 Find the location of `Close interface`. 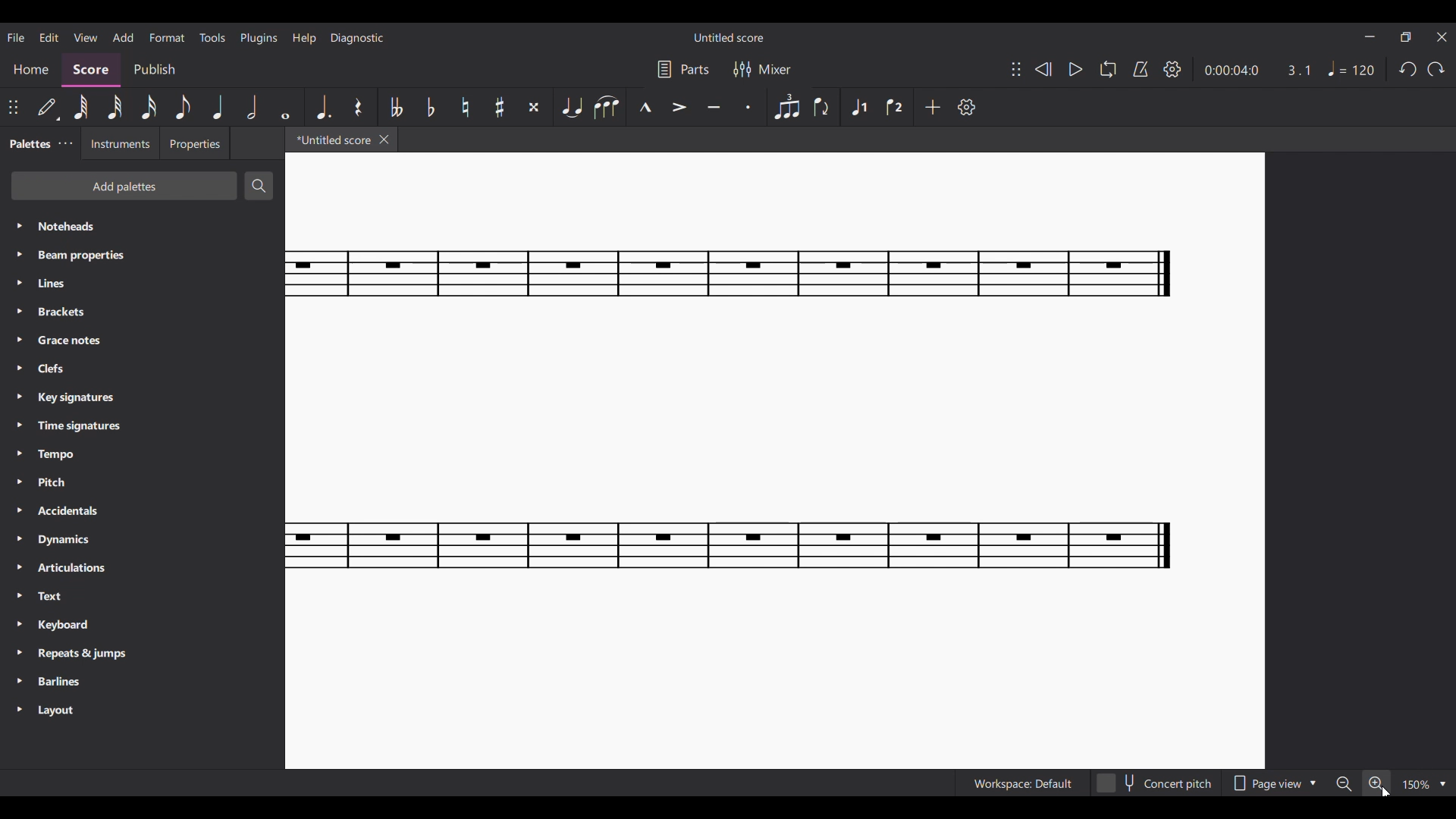

Close interface is located at coordinates (1442, 37).